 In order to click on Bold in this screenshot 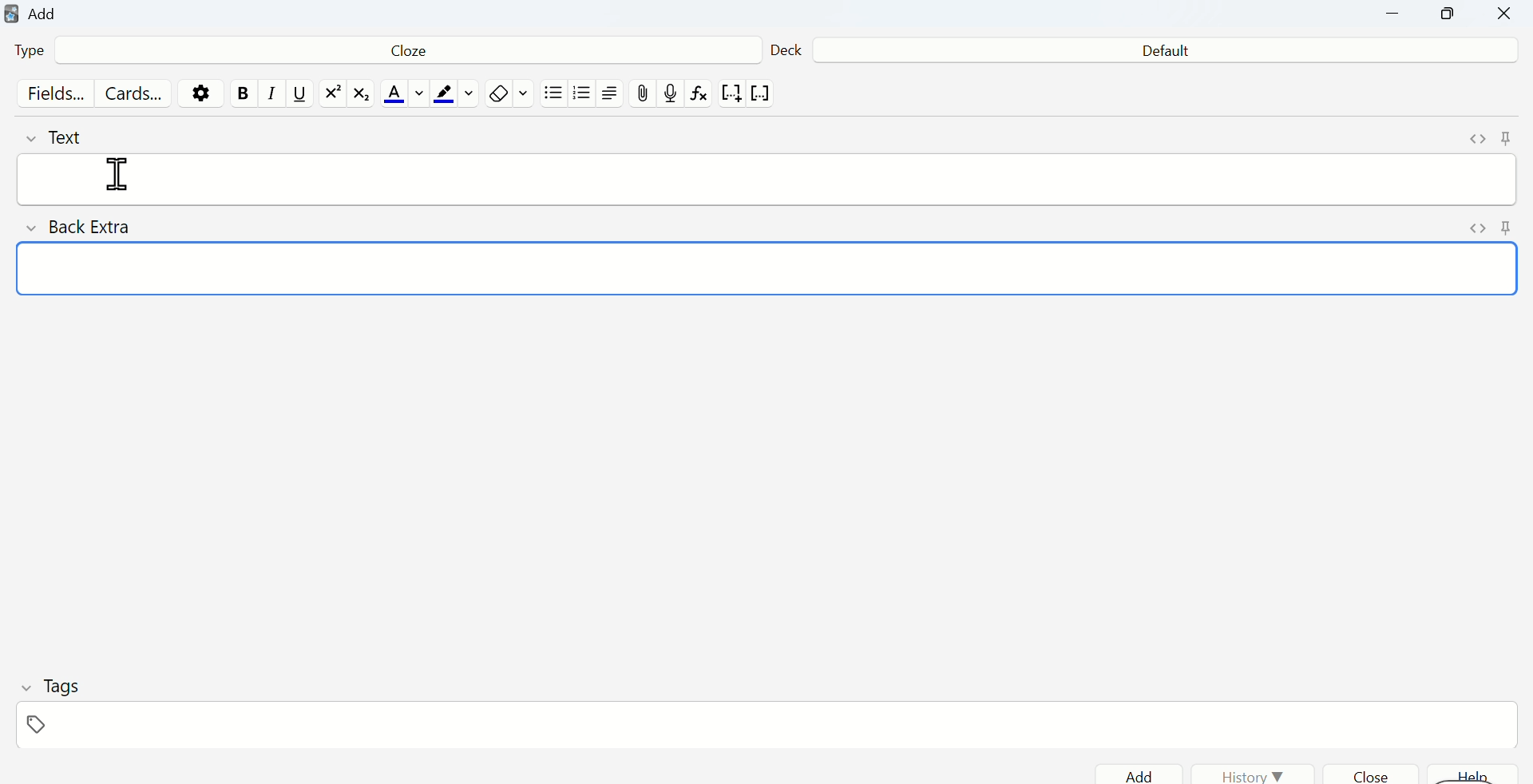, I will do `click(243, 93)`.